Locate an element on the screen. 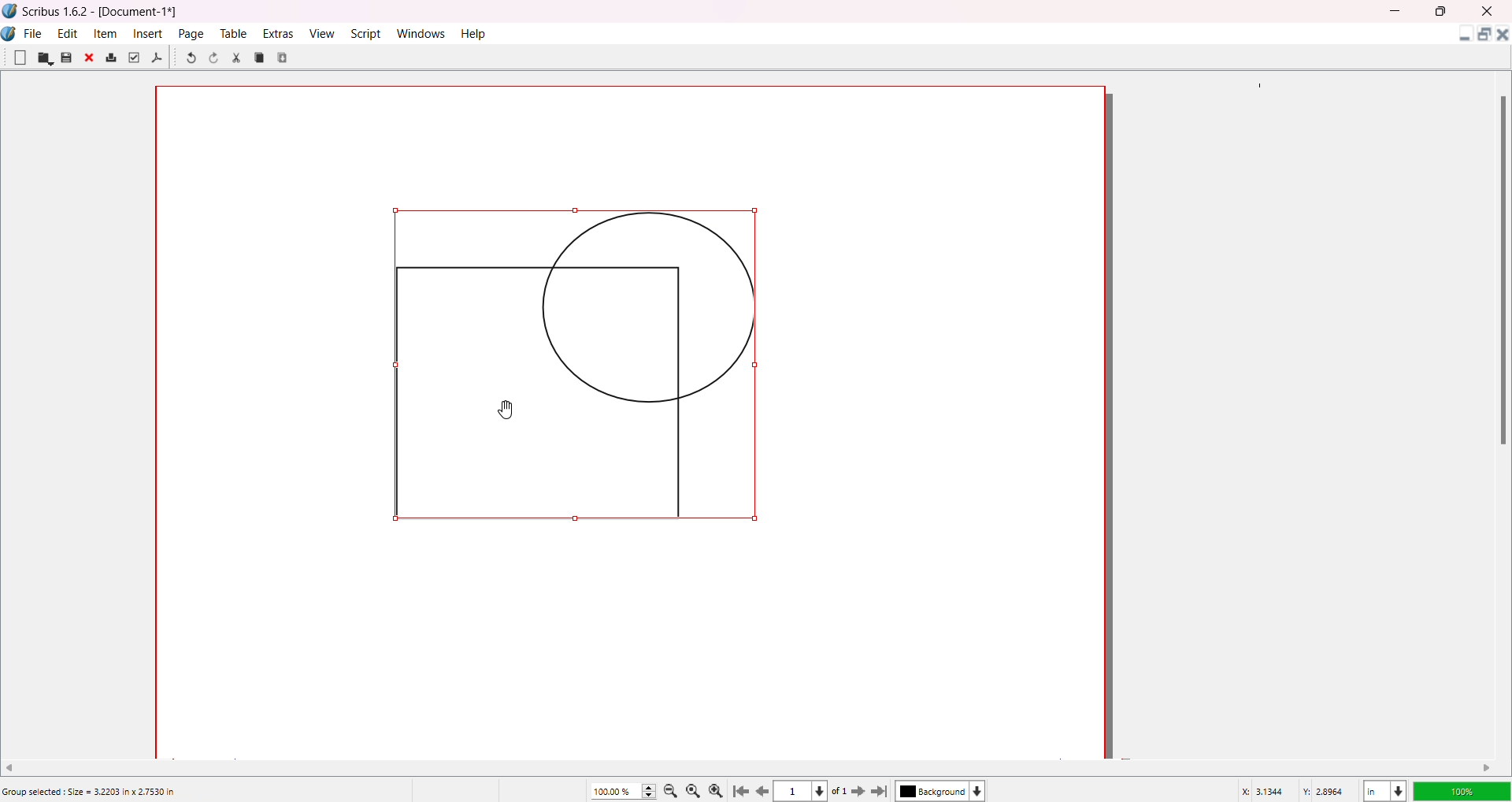 The height and width of the screenshot is (802, 1512). Copy is located at coordinates (260, 57).